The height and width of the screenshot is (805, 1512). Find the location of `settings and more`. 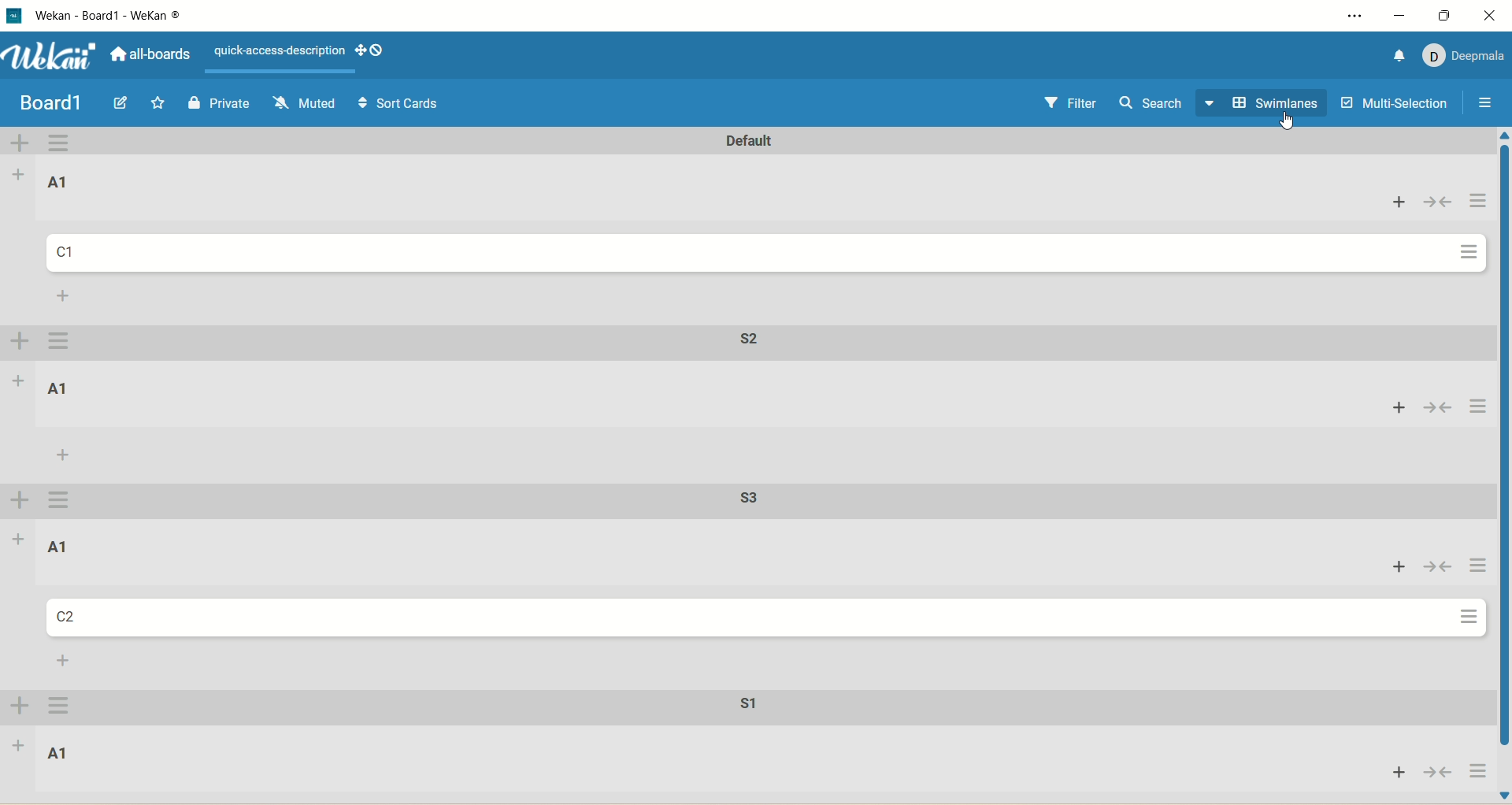

settings and more is located at coordinates (1352, 18).